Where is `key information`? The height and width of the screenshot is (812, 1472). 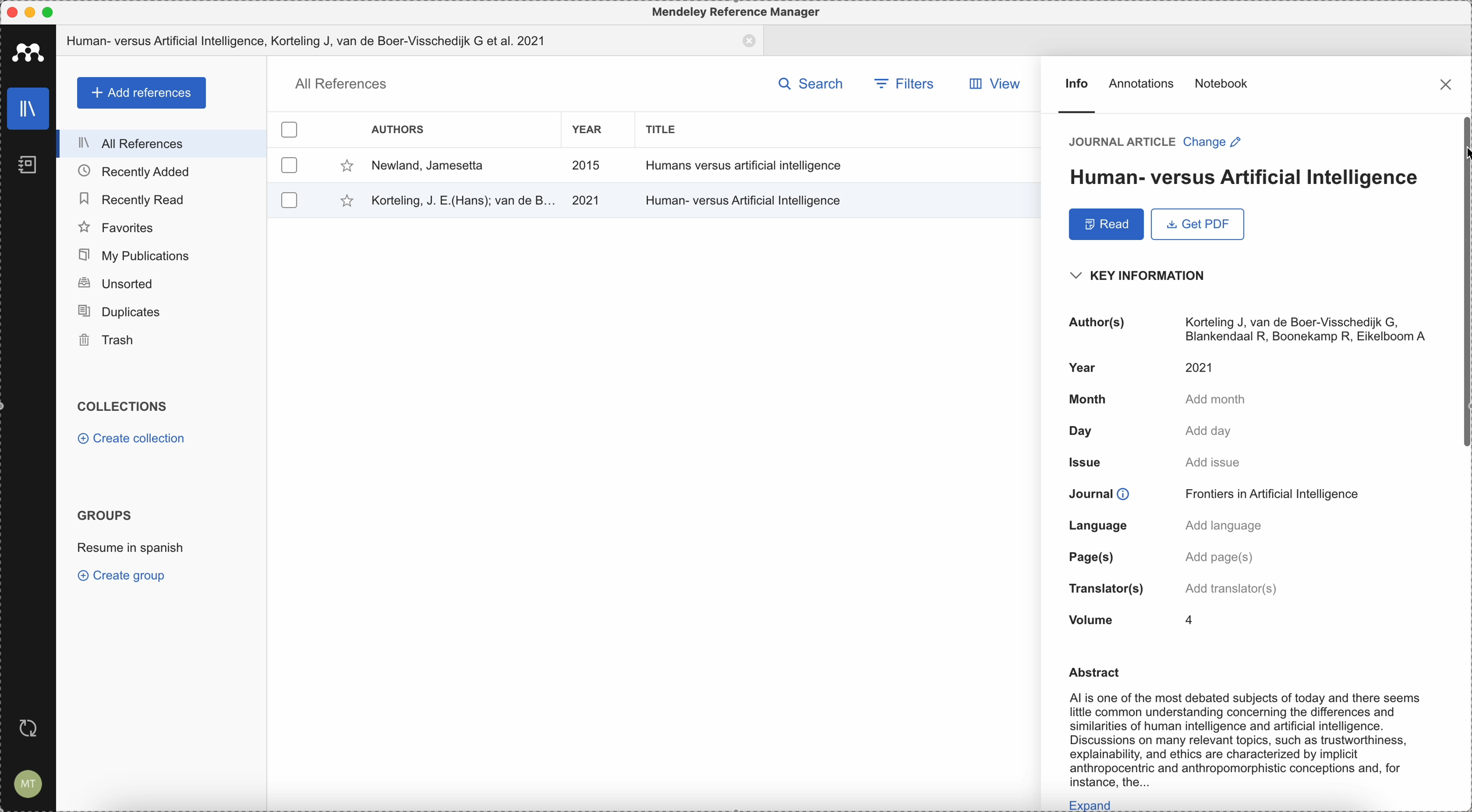
key information is located at coordinates (1142, 275).